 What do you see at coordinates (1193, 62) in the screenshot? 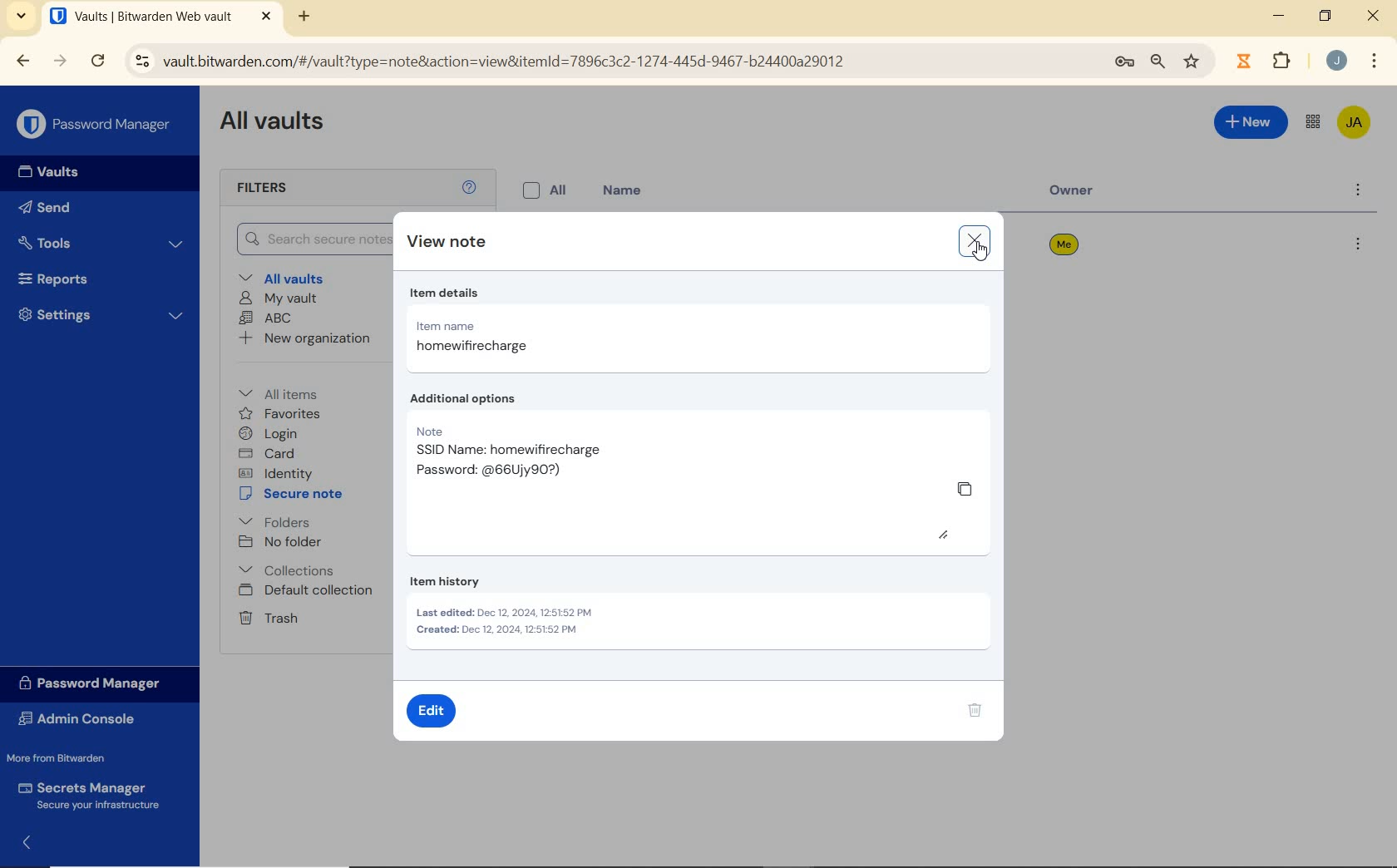
I see `bookmark` at bounding box center [1193, 62].